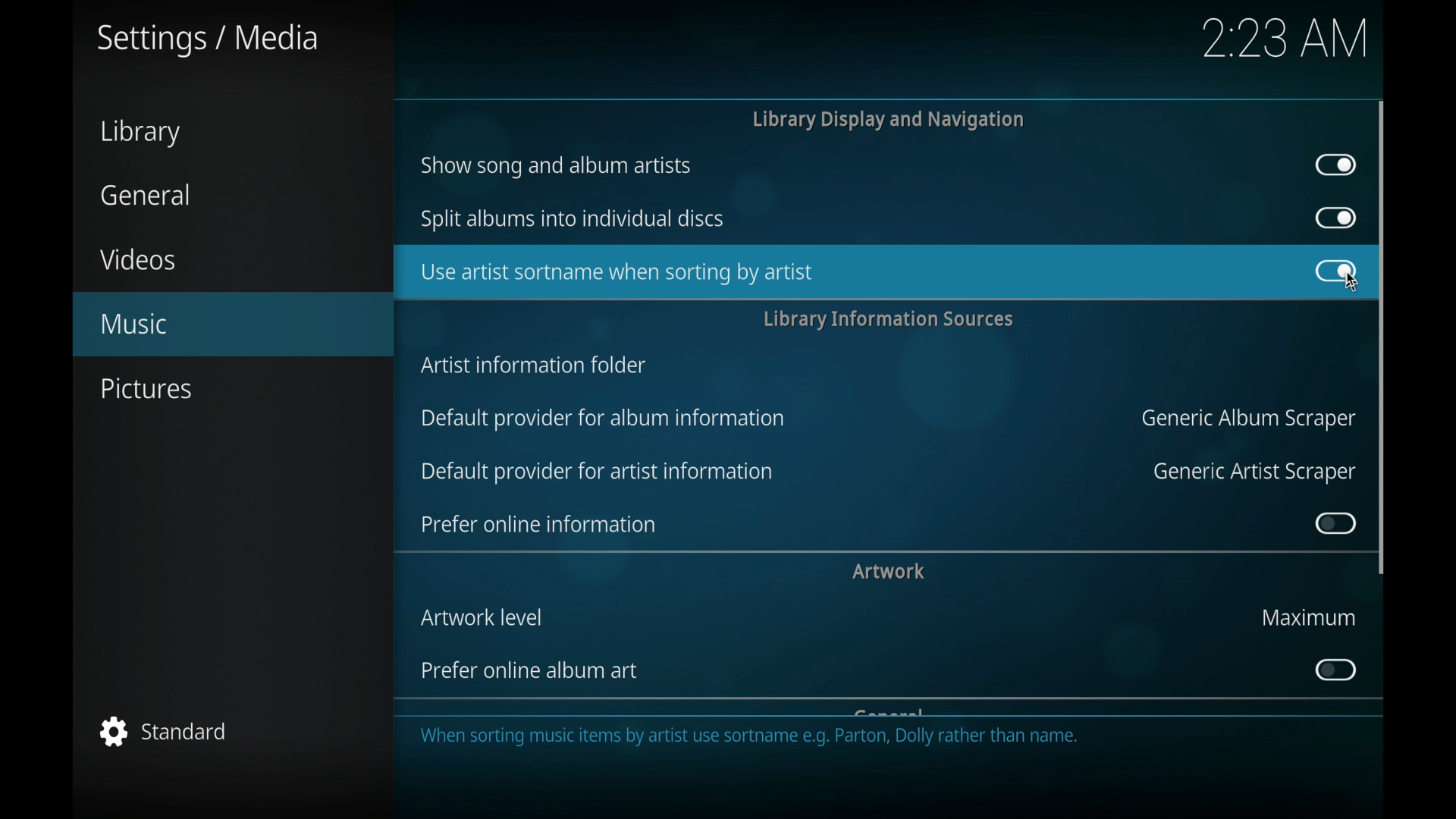  I want to click on general, so click(143, 194).